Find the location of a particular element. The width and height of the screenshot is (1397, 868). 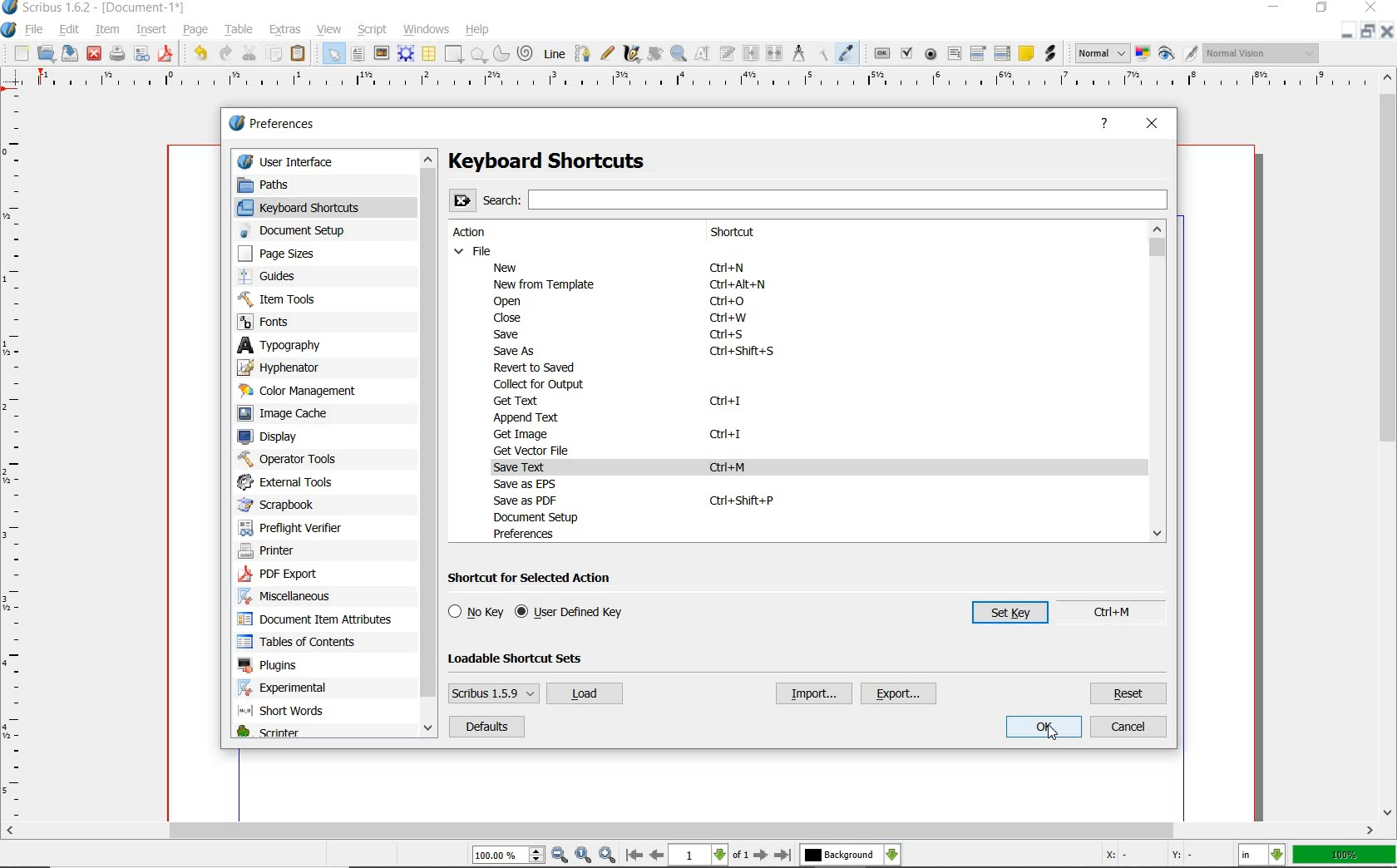

Ctrl + M is located at coordinates (733, 467).